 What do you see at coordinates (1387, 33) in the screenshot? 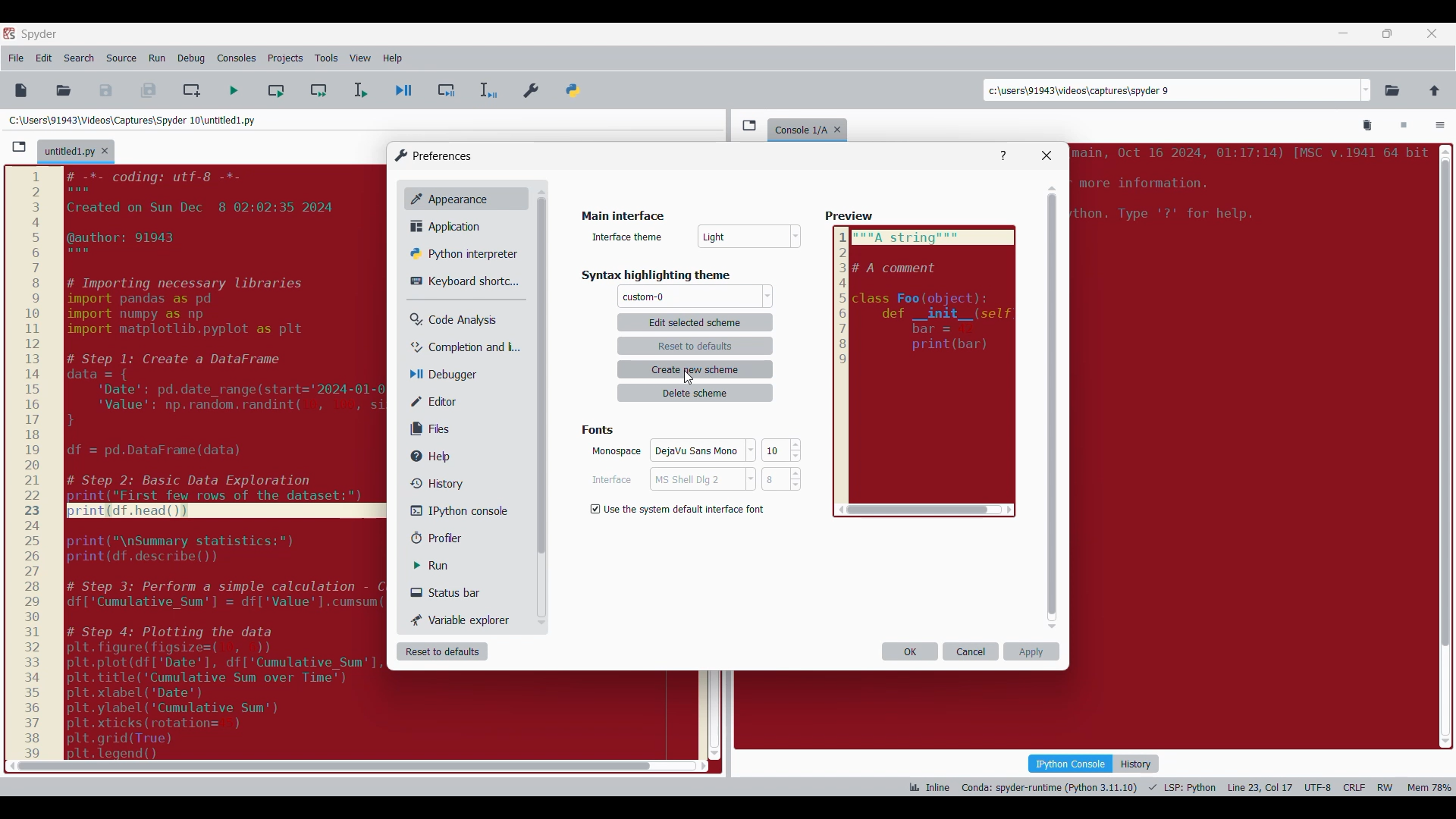
I see `Show in smaller tab` at bounding box center [1387, 33].